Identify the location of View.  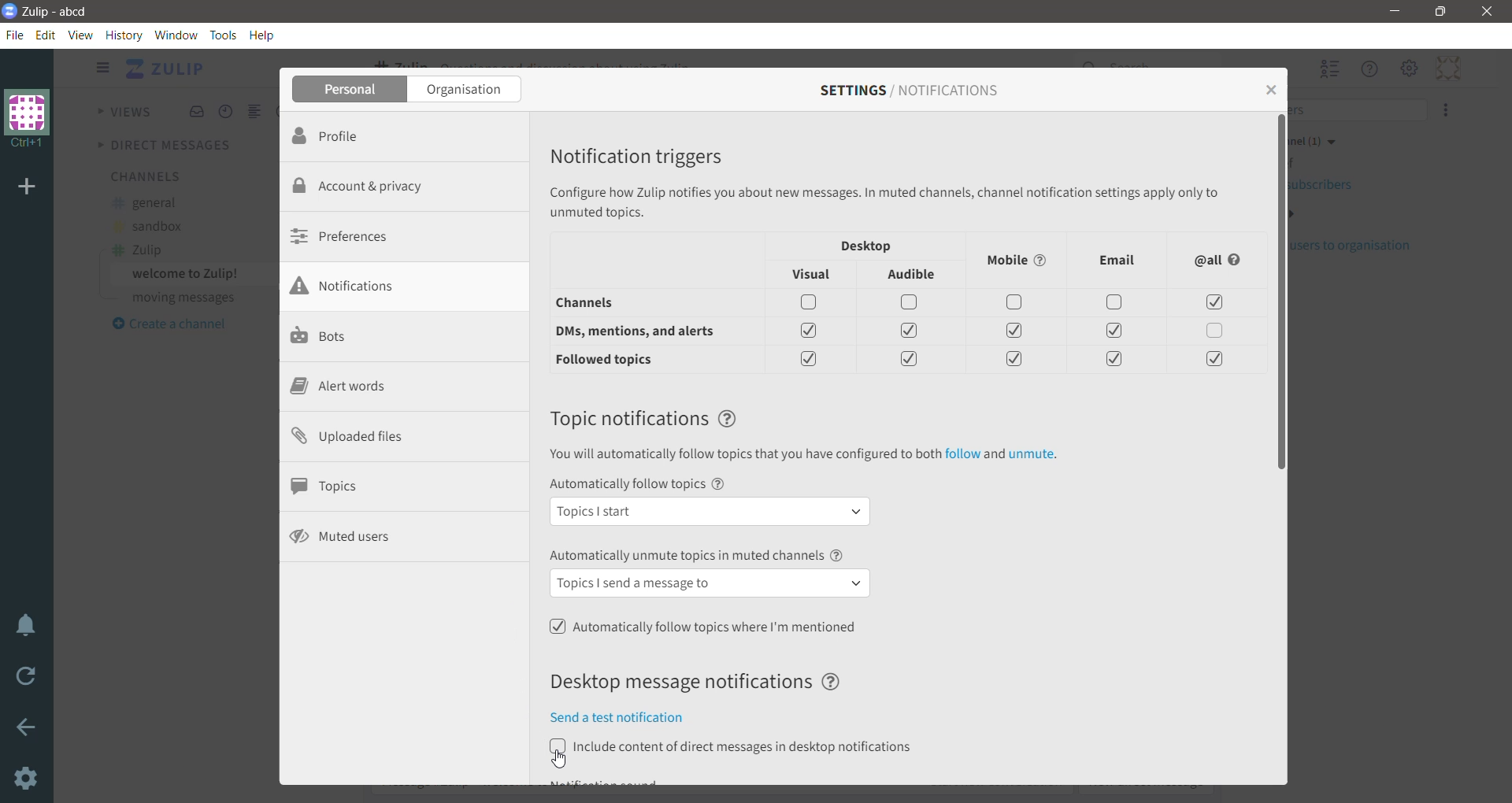
(80, 35).